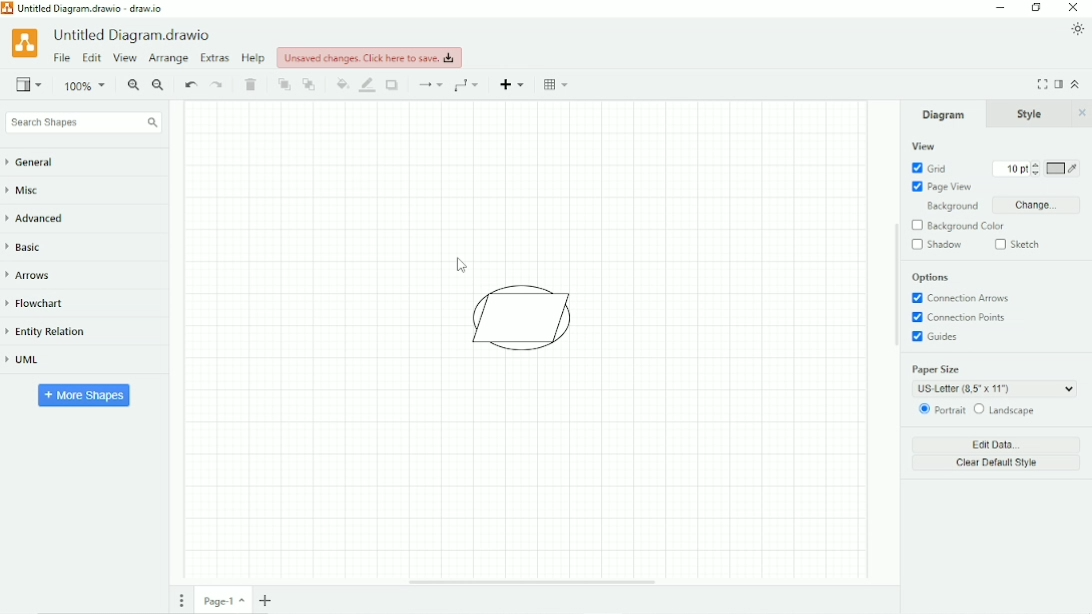 The height and width of the screenshot is (614, 1092). I want to click on Pages, so click(182, 600).